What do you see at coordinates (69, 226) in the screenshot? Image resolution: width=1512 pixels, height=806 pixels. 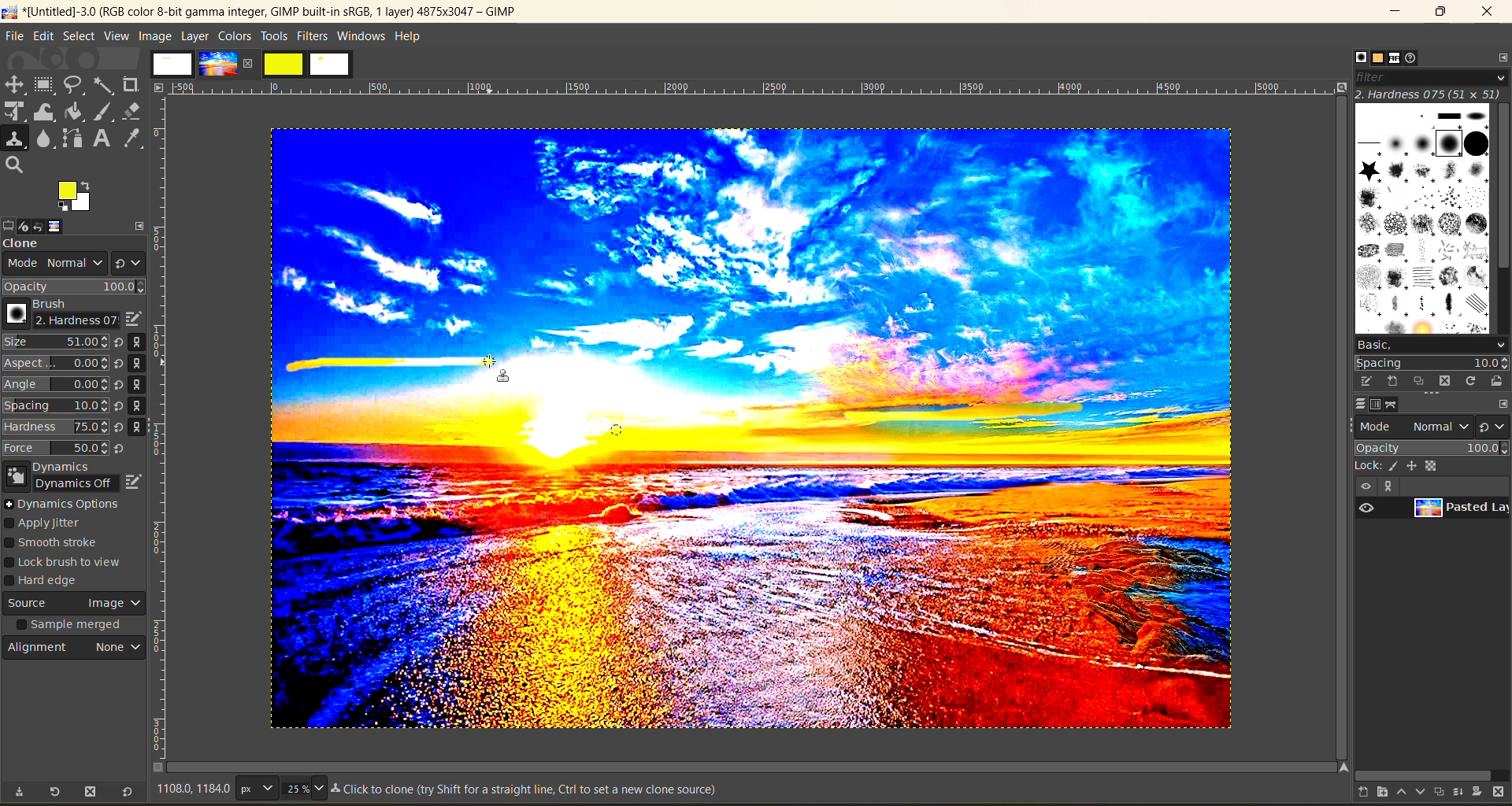 I see `image` at bounding box center [69, 226].